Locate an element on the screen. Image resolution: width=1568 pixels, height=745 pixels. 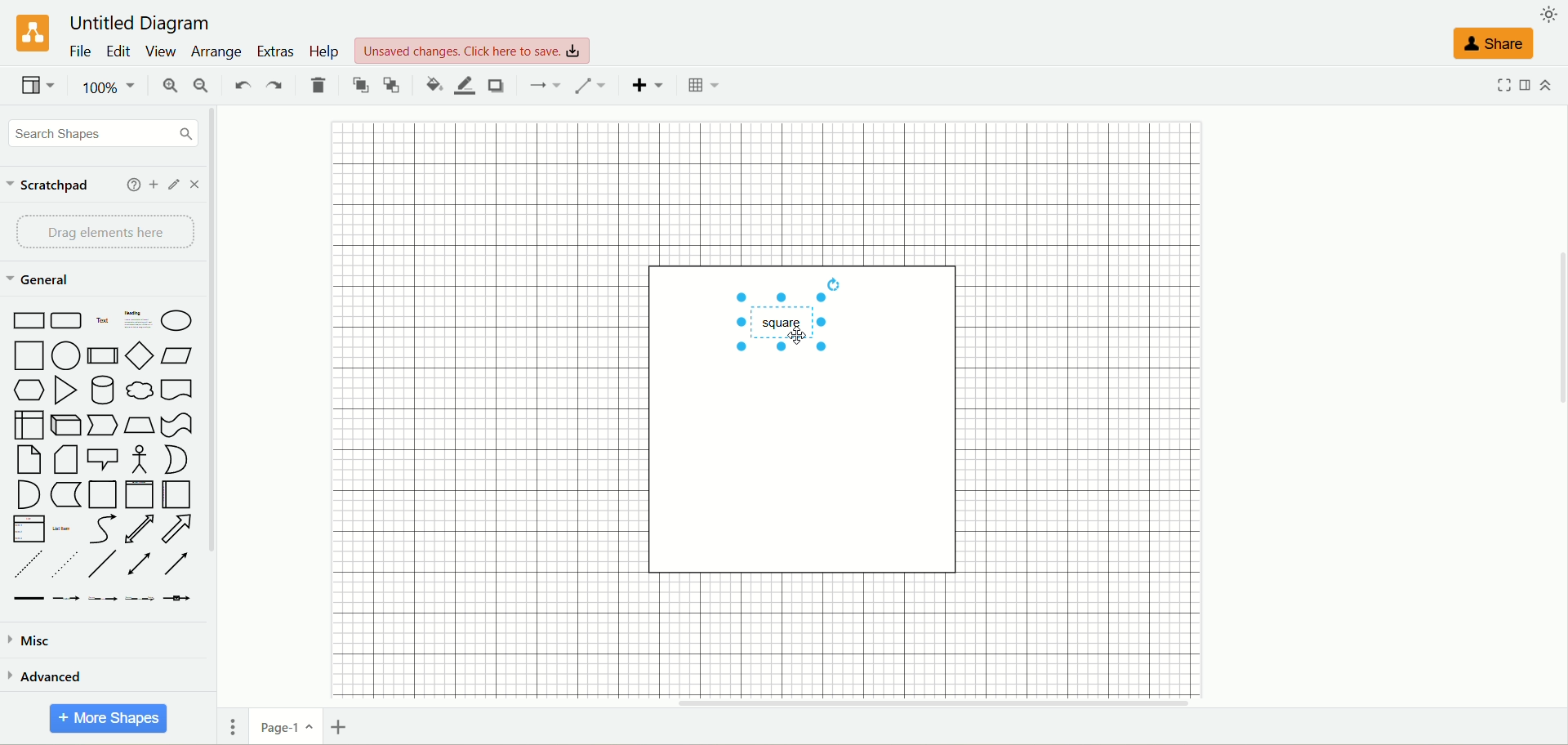
edit is located at coordinates (119, 51).